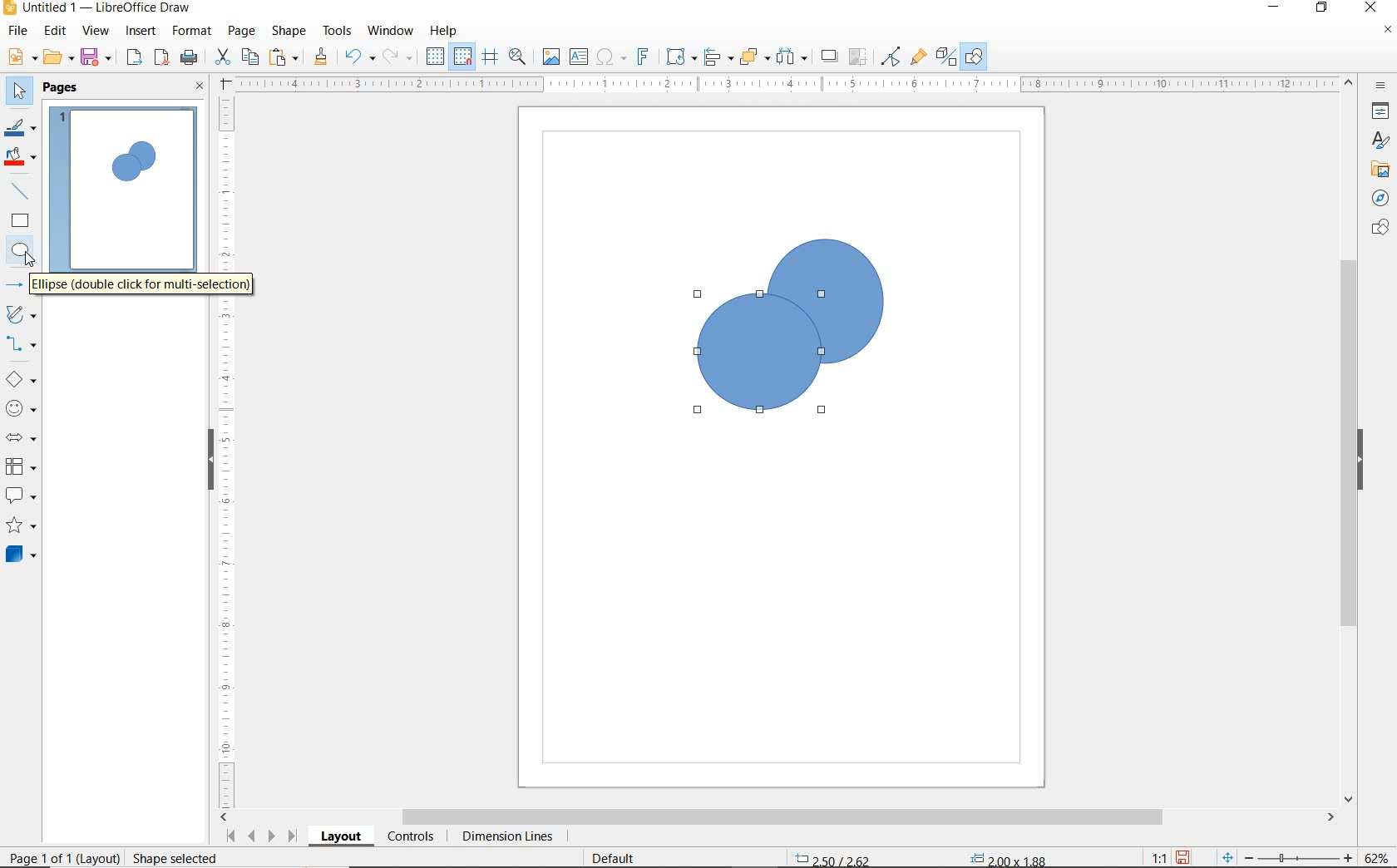 This screenshot has height=868, width=1397. I want to click on DRAWN CIRCLE, so click(824, 300).